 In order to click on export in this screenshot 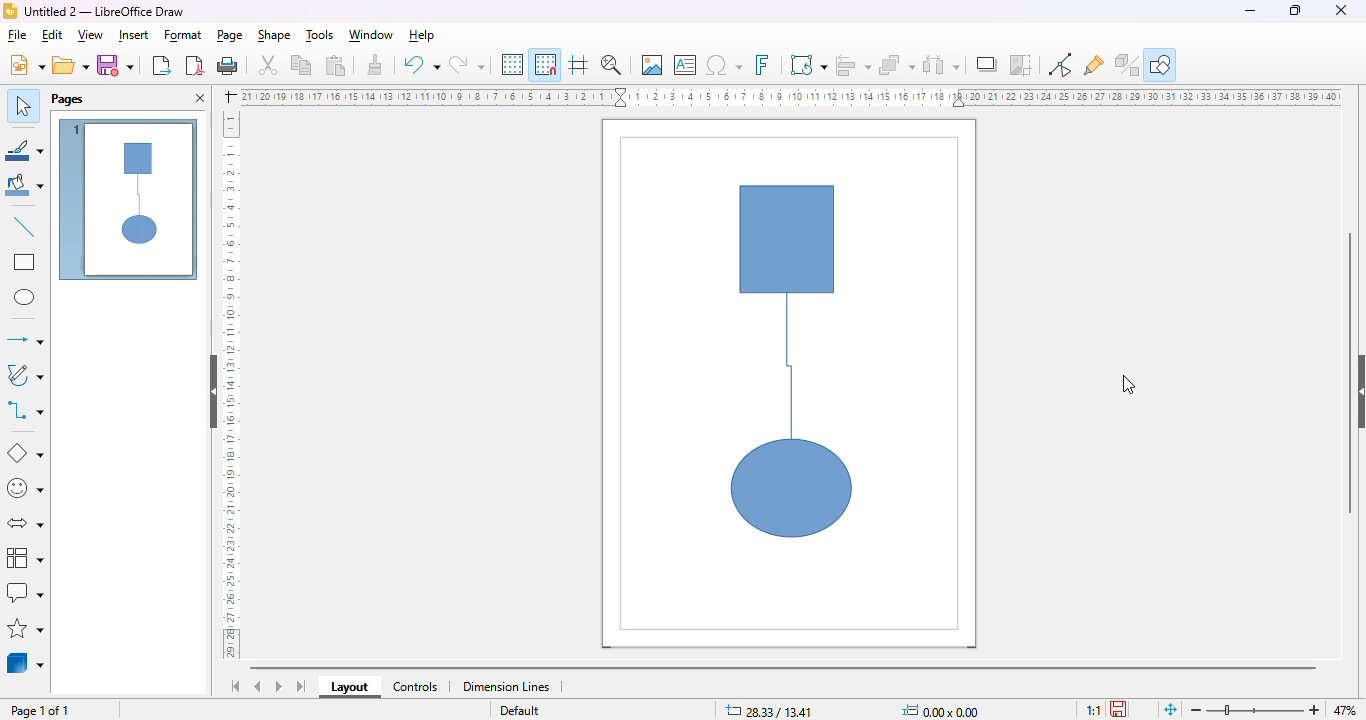, I will do `click(161, 66)`.